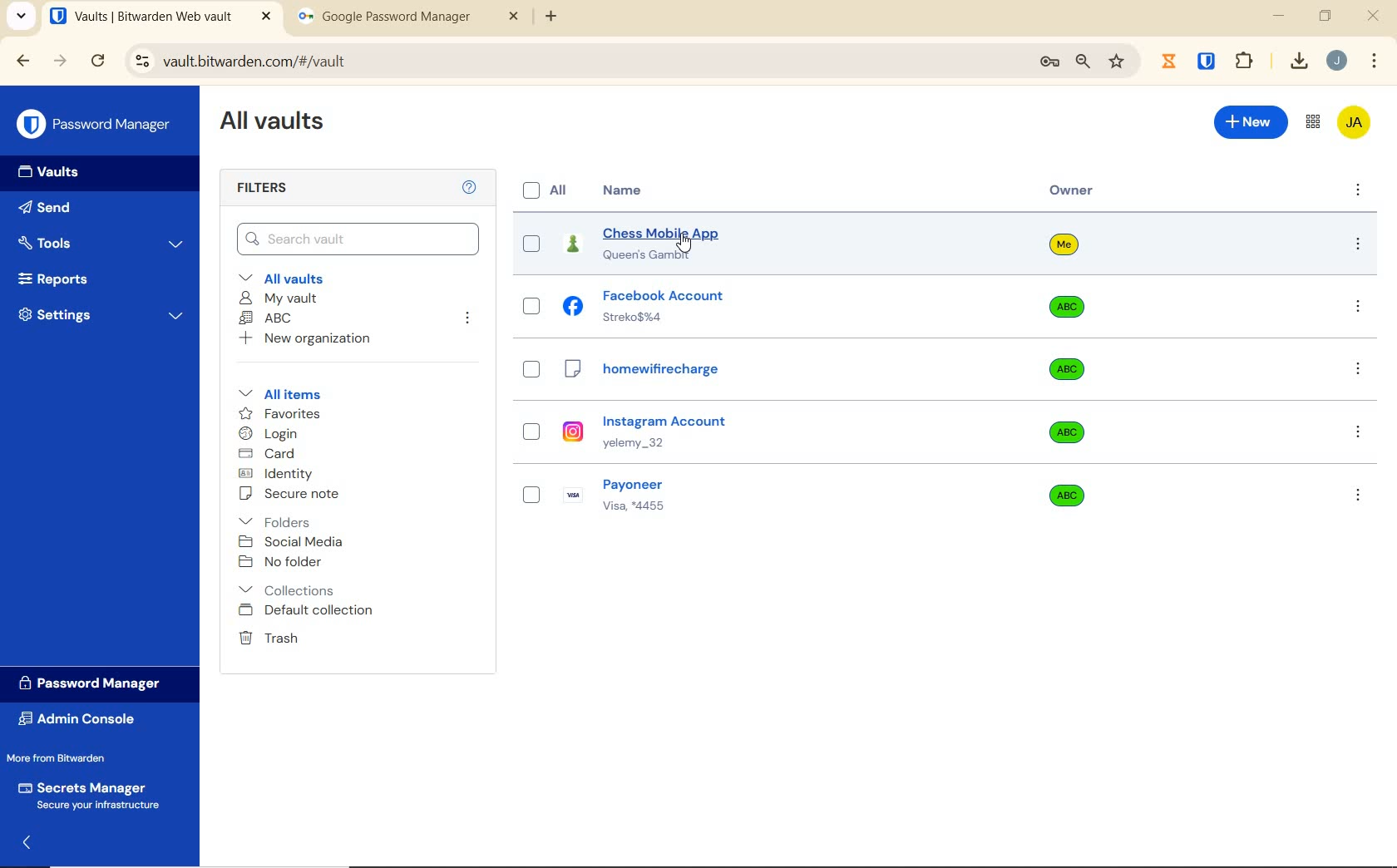 This screenshot has width=1397, height=868. I want to click on trash, so click(270, 638).